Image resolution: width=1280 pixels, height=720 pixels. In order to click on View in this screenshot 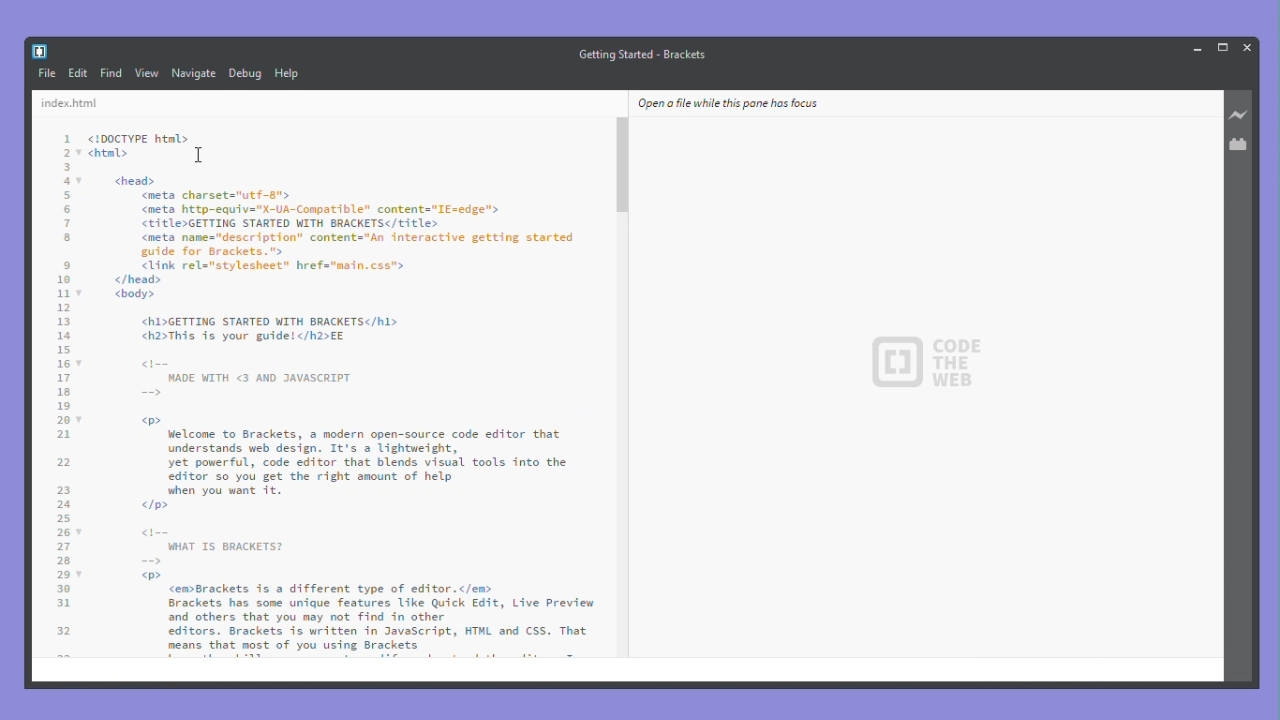, I will do `click(148, 74)`.